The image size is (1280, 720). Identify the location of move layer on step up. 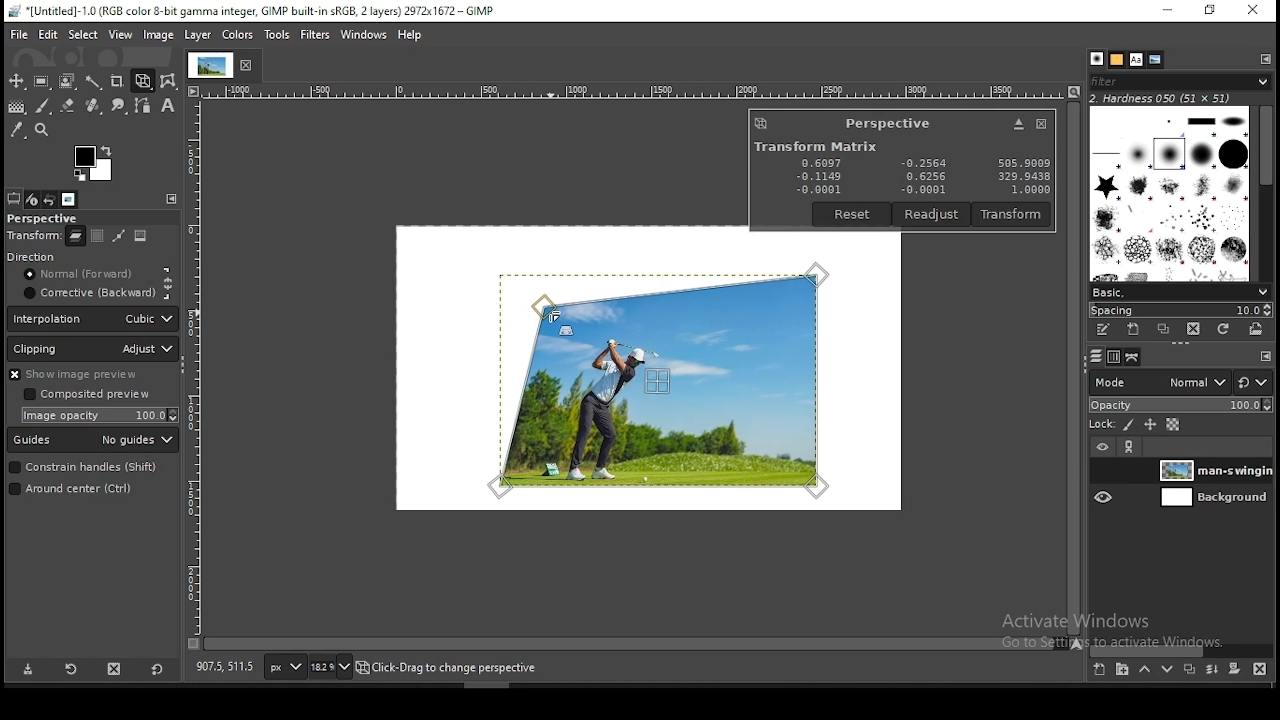
(1142, 669).